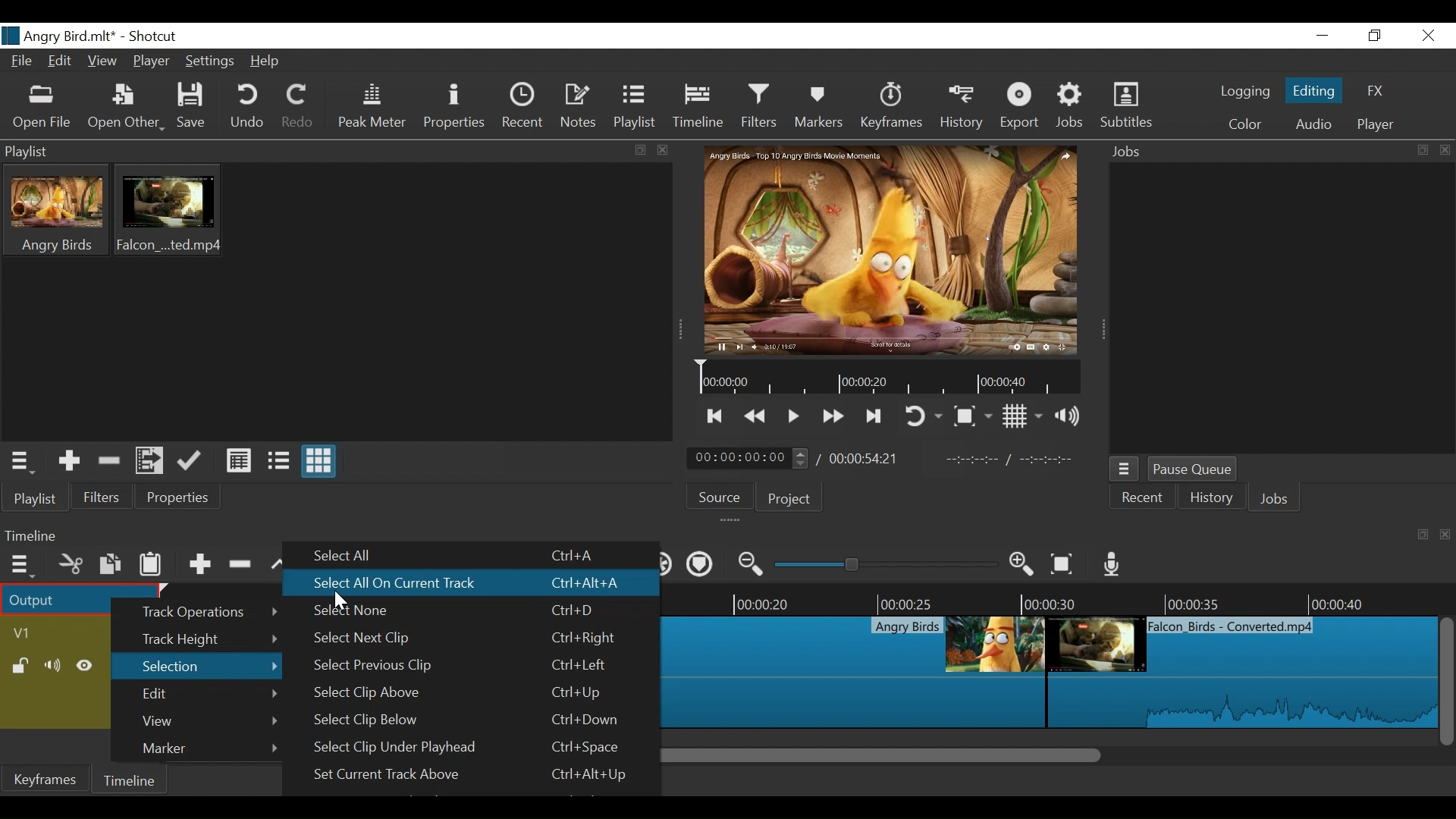 This screenshot has width=1456, height=819. I want to click on Pause Queue, so click(1196, 470).